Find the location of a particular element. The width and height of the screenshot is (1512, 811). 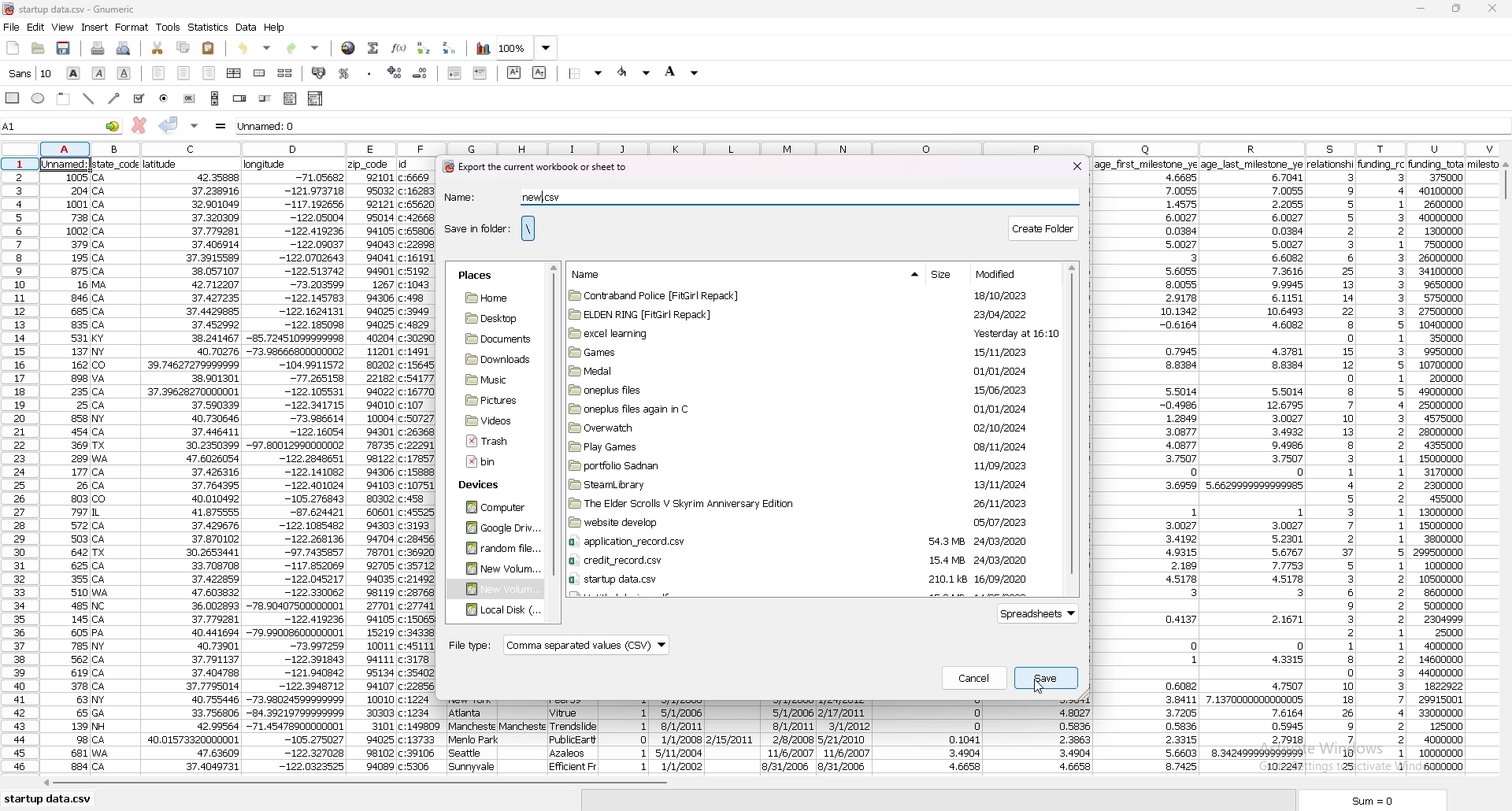

folder is located at coordinates (810, 297).